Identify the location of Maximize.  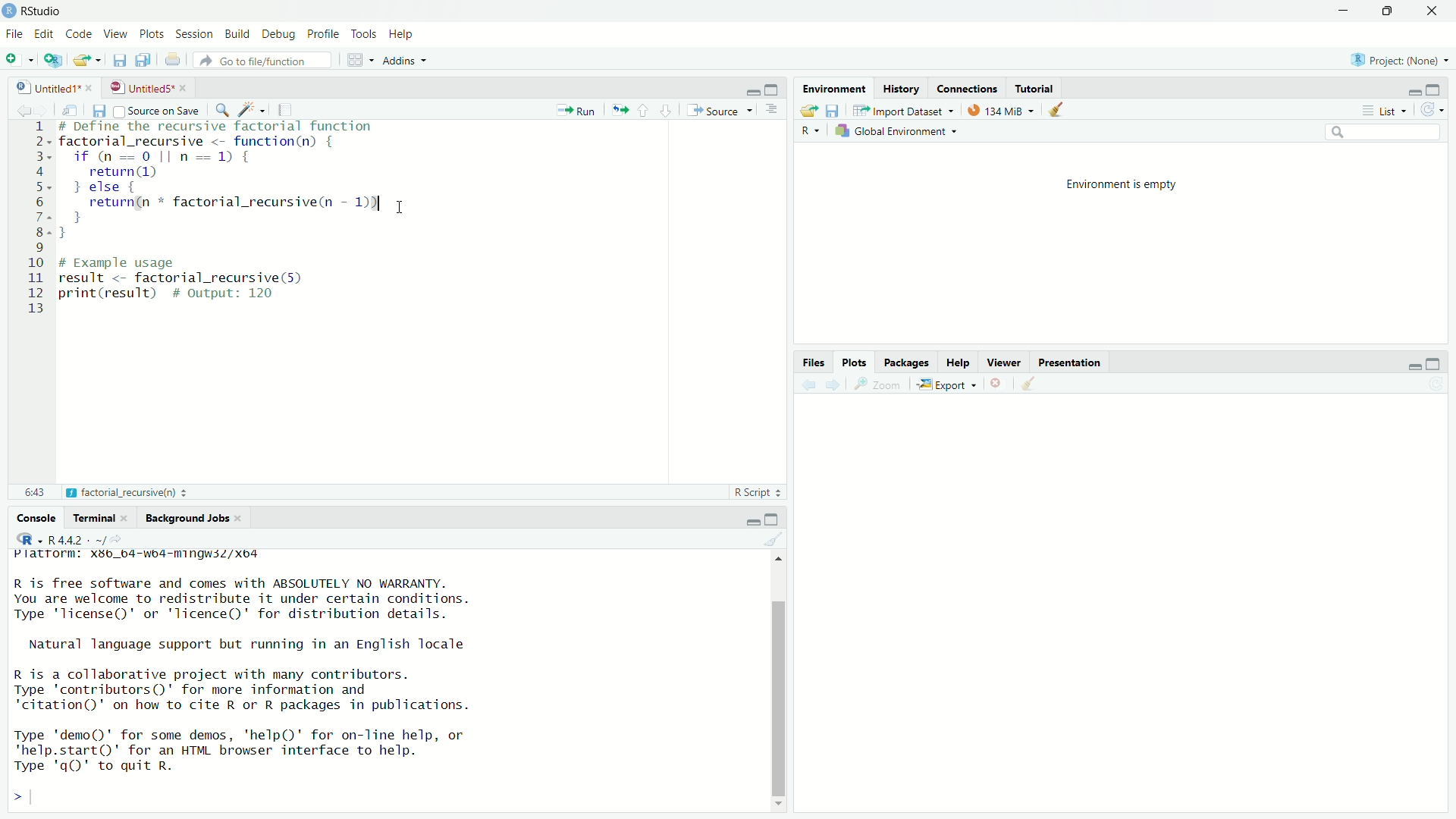
(1384, 12).